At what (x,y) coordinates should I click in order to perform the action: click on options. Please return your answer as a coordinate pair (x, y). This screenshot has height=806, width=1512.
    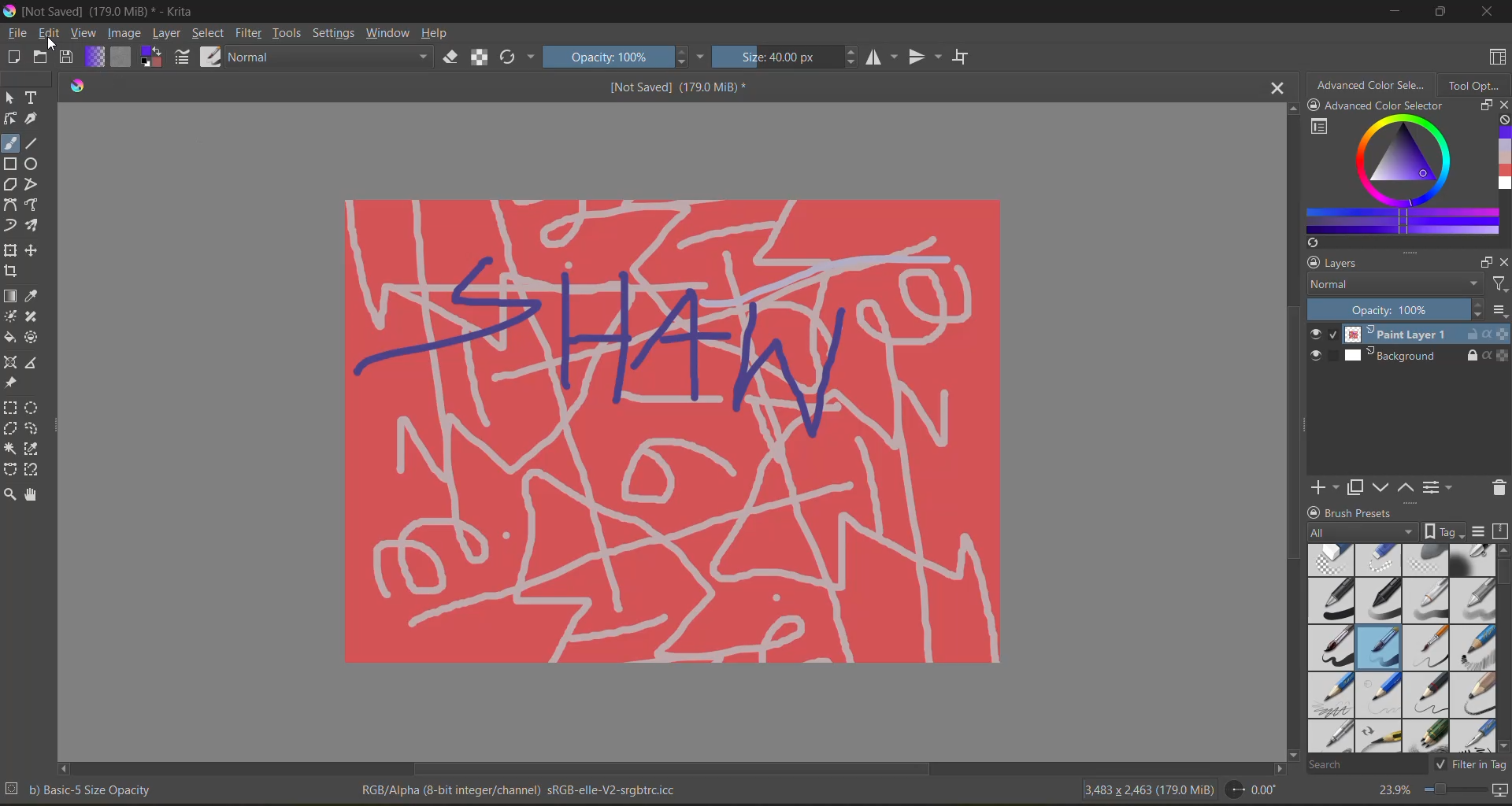
    Looking at the image, I should click on (1498, 311).